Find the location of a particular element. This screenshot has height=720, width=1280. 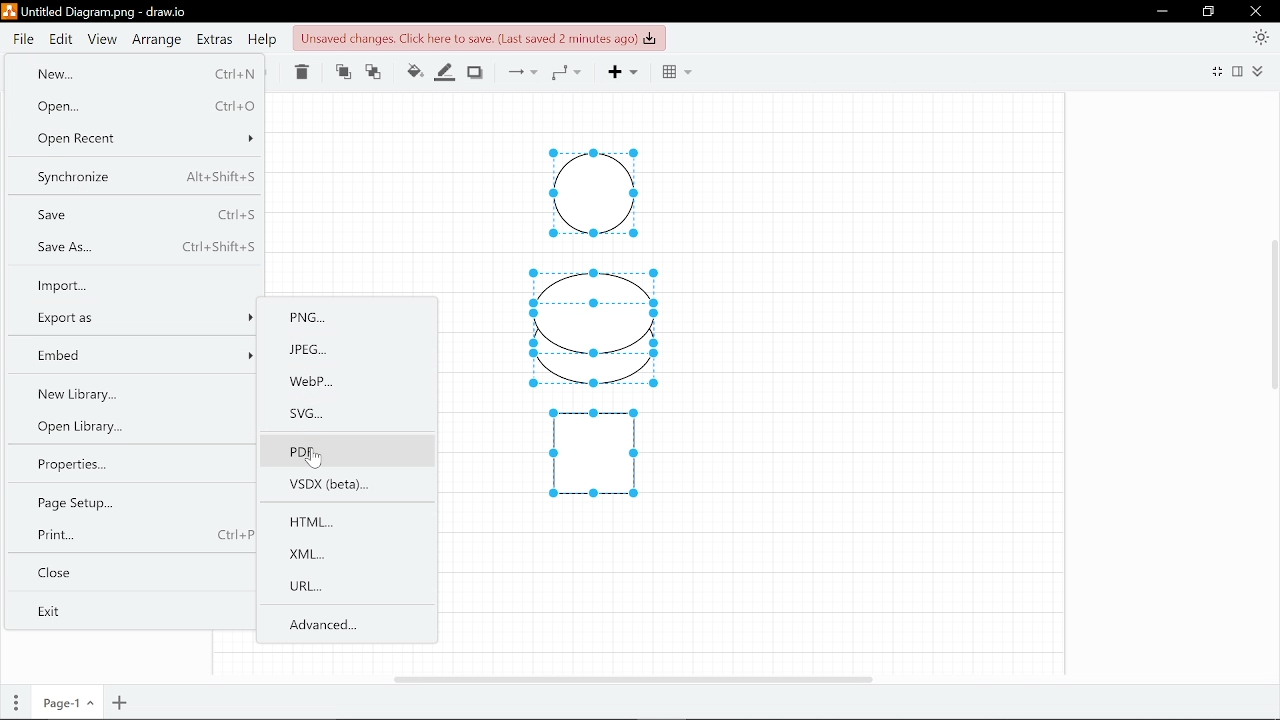

Fill line is located at coordinates (445, 72).